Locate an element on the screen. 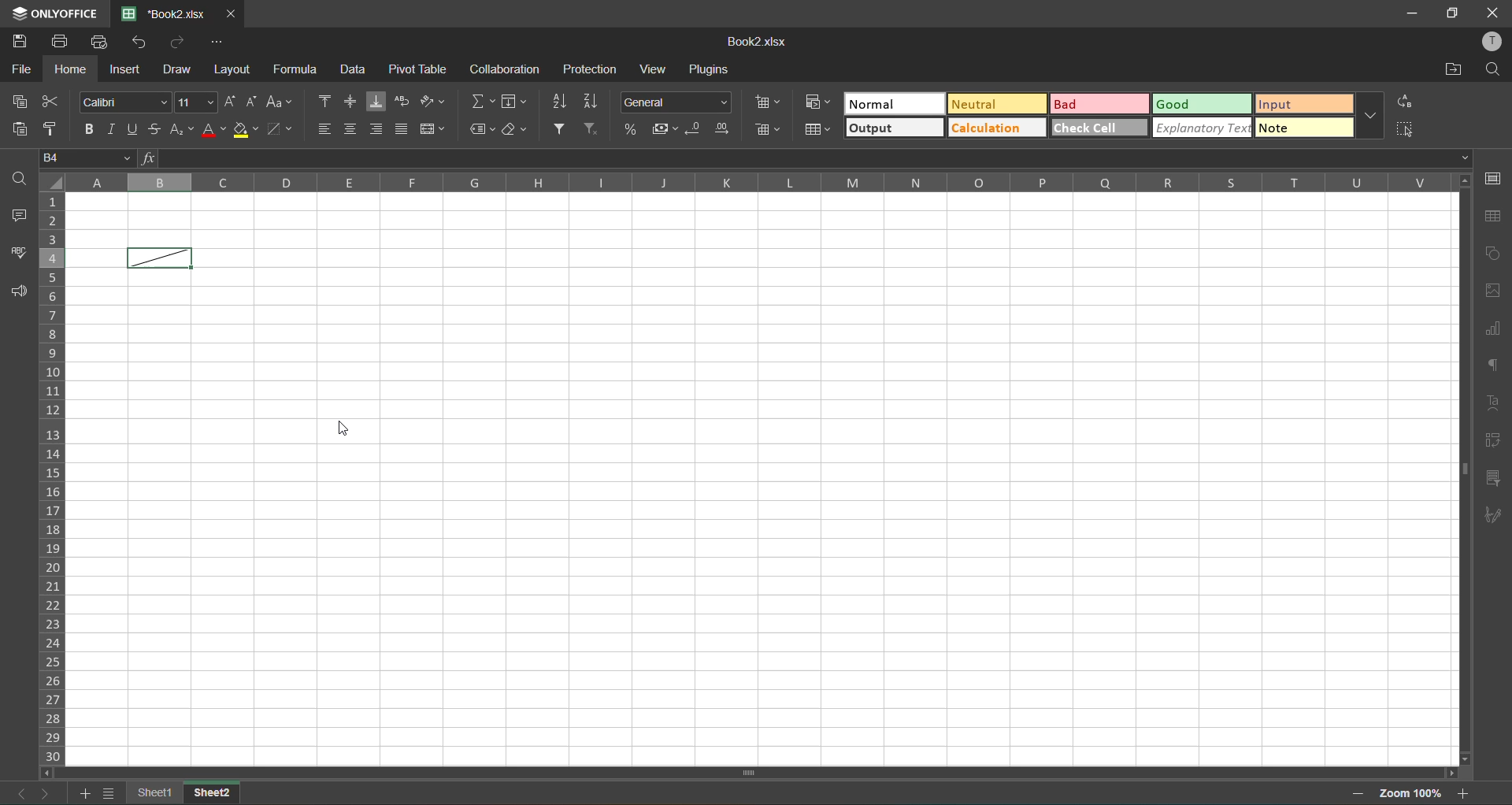 This screenshot has height=805, width=1512. explanatory check is located at coordinates (1202, 127).